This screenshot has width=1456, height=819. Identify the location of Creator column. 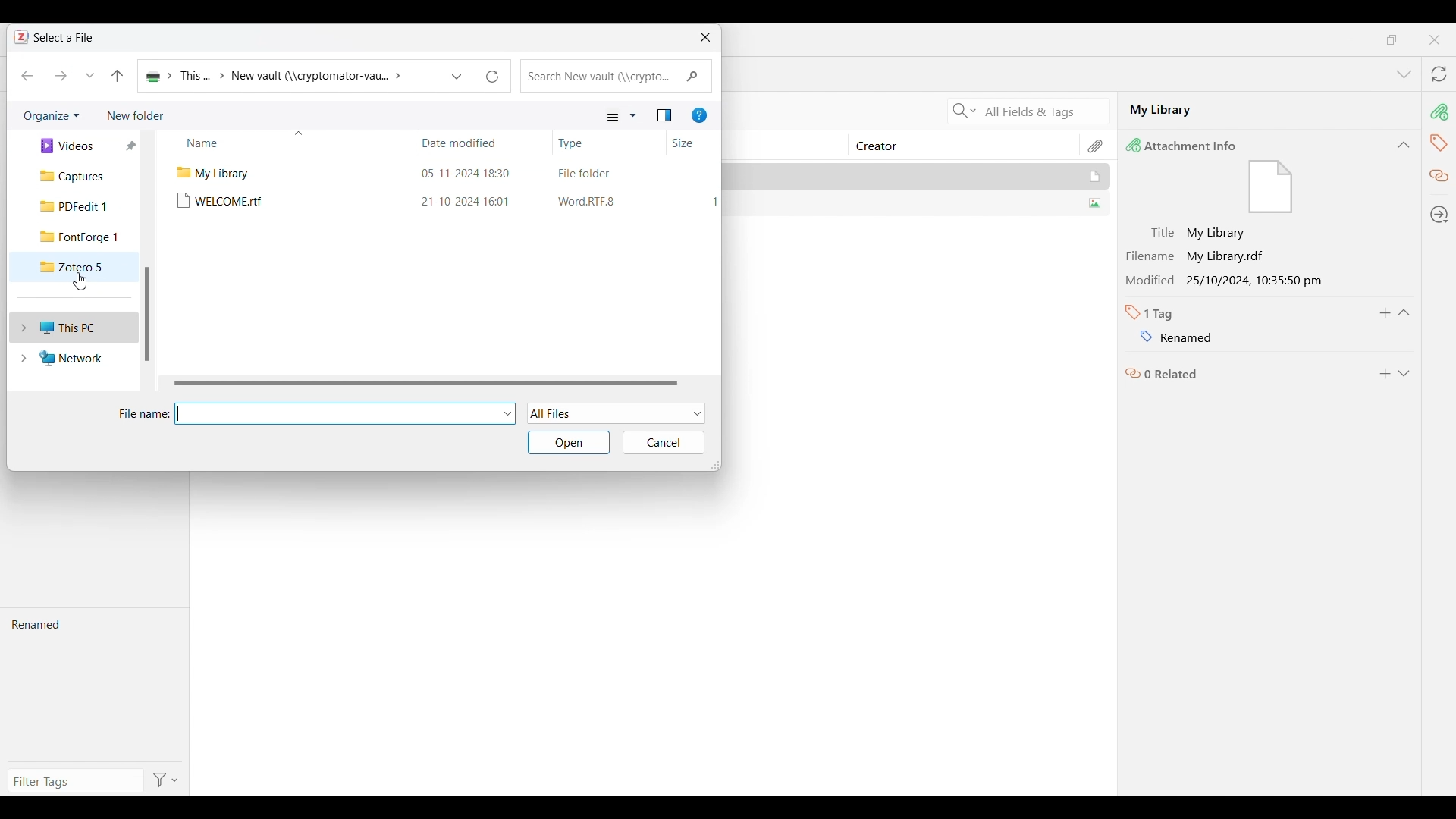
(952, 145).